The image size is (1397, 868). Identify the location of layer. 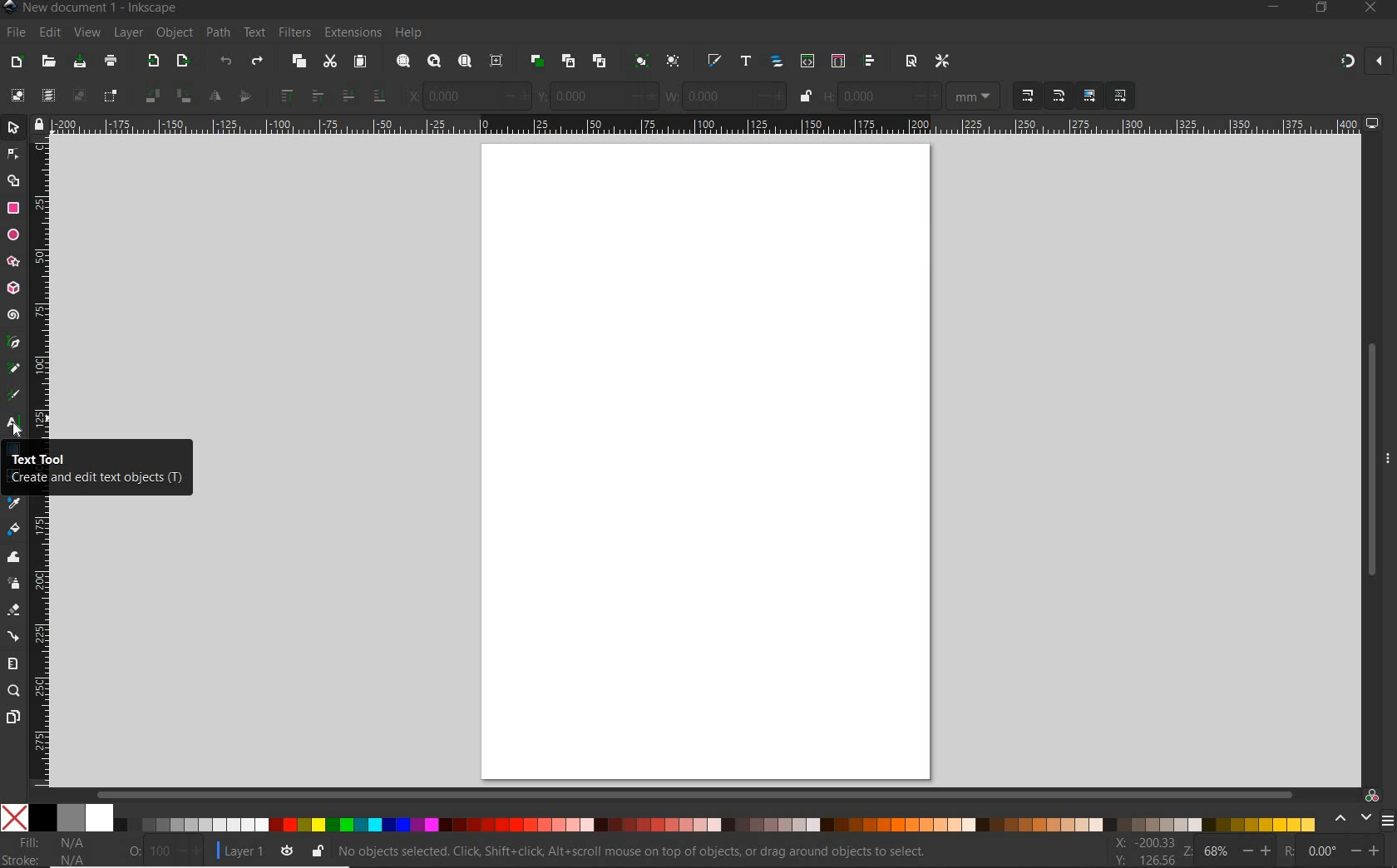
(124, 32).